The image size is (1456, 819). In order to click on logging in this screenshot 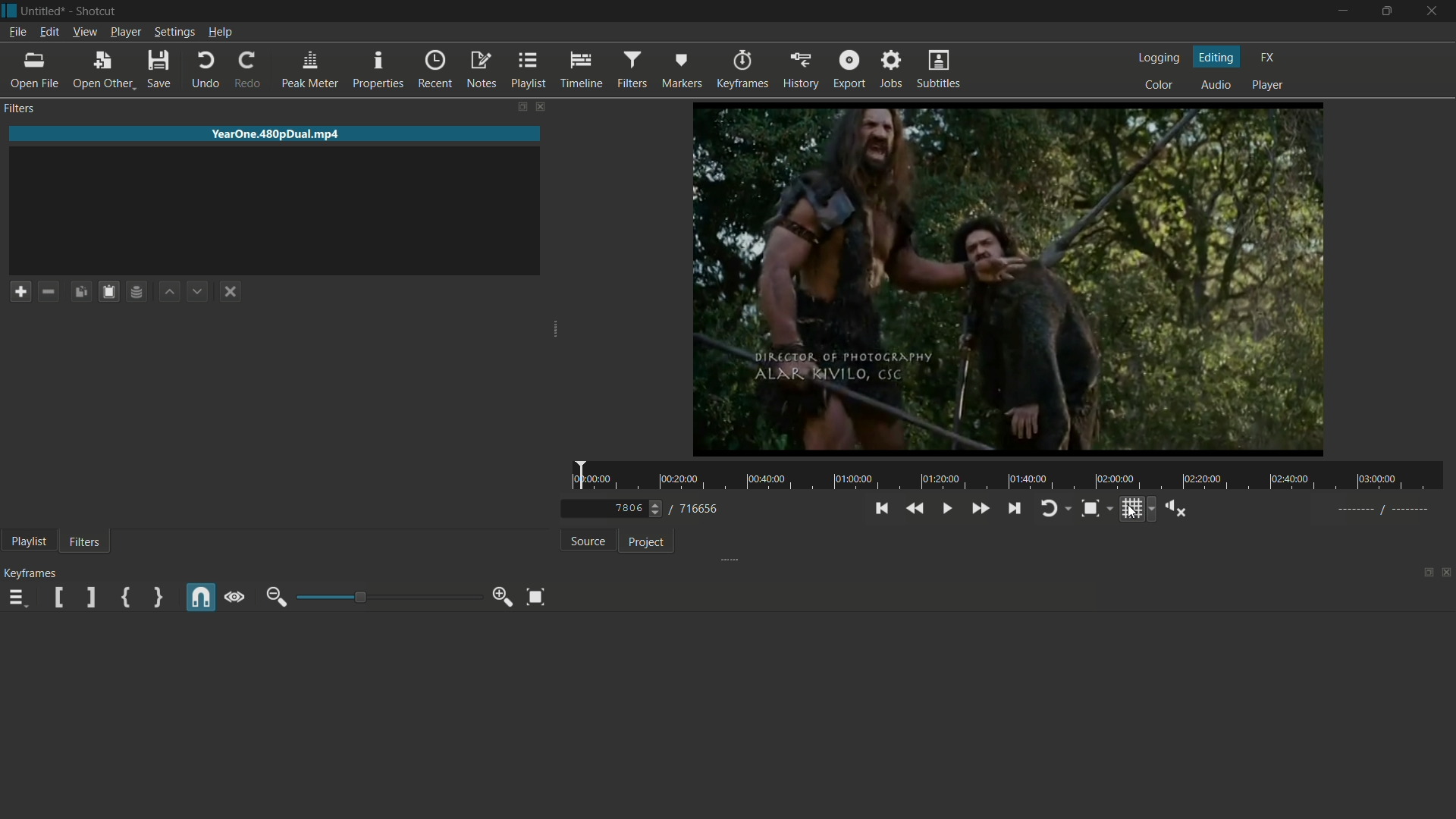, I will do `click(1159, 58)`.